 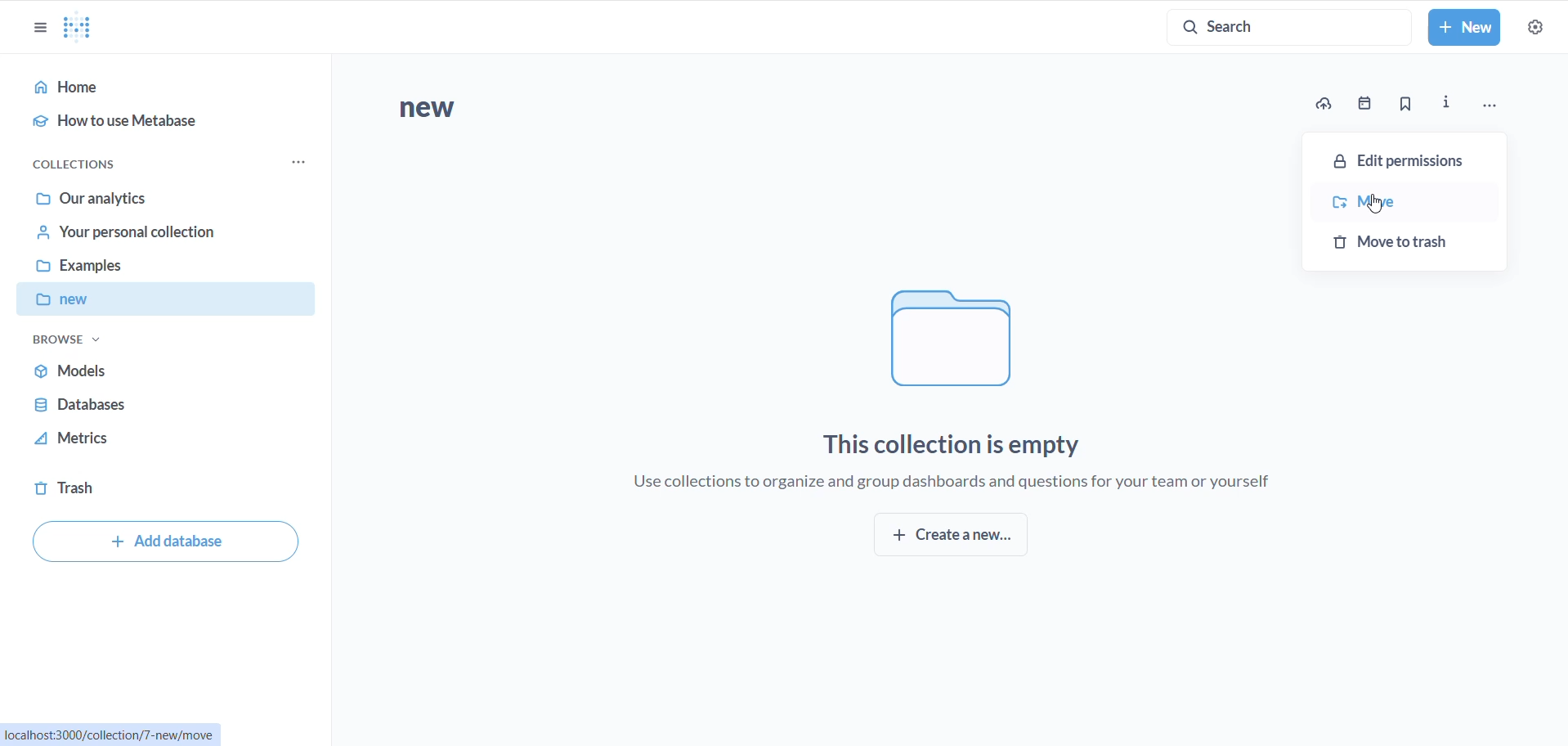 What do you see at coordinates (164, 544) in the screenshot?
I see `add database` at bounding box center [164, 544].